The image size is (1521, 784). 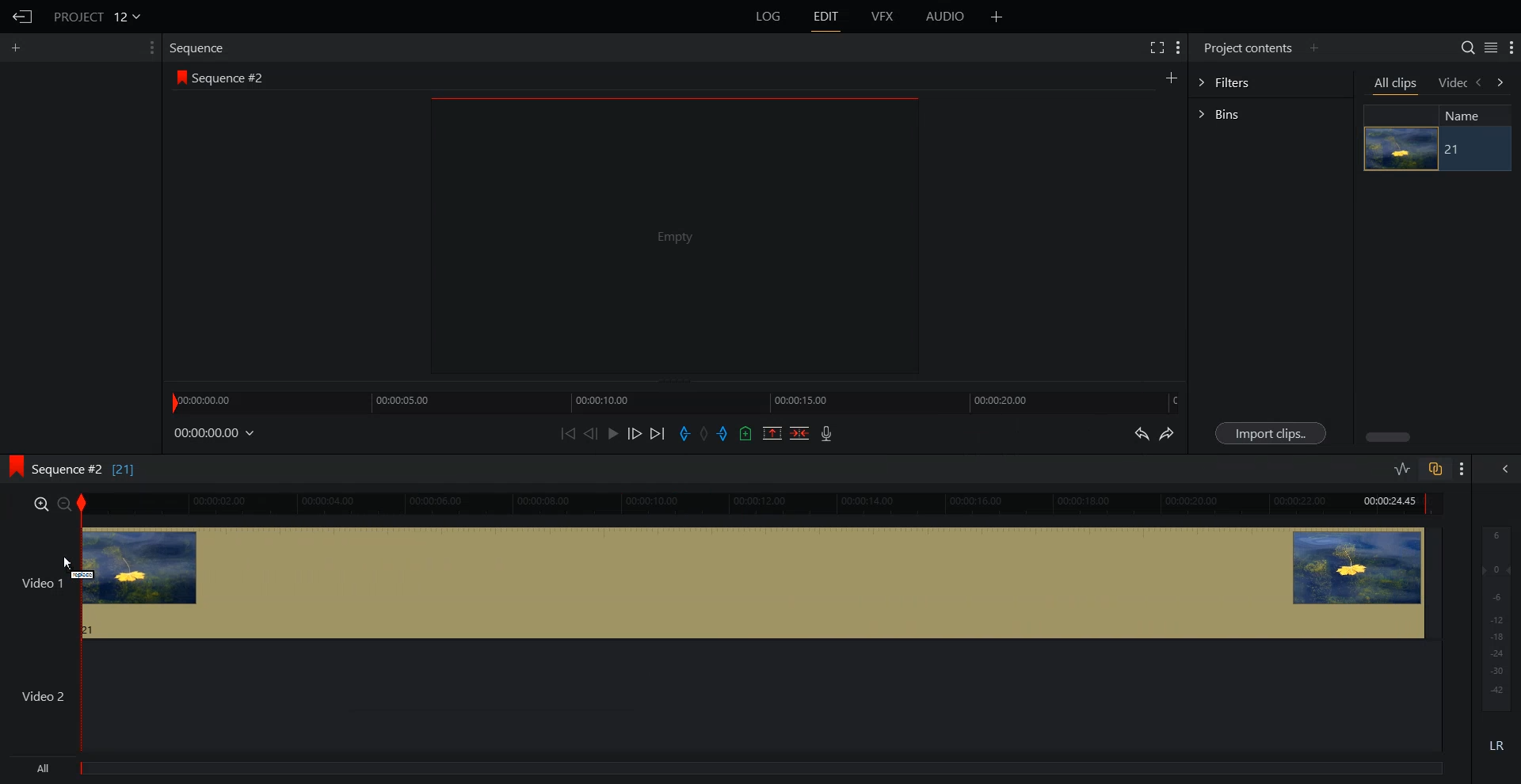 I want to click on All clips, so click(x=1397, y=86).